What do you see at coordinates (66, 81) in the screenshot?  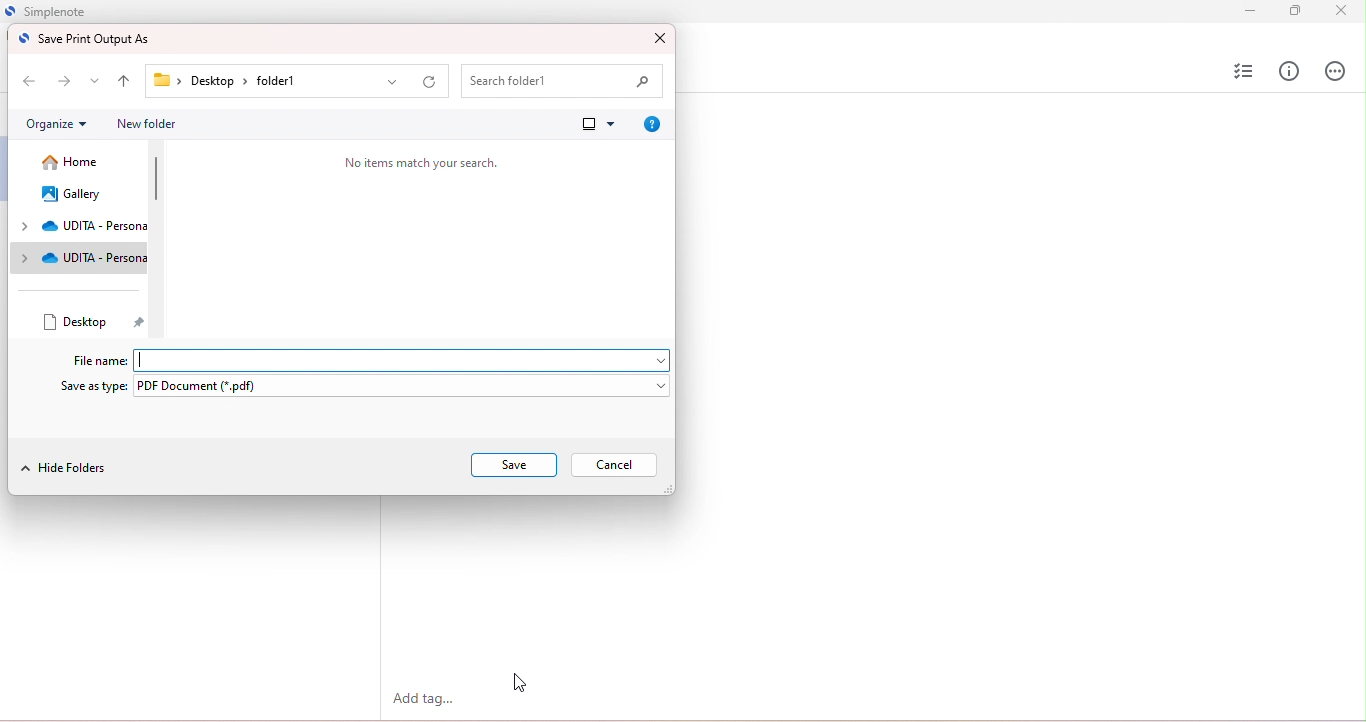 I see `next` at bounding box center [66, 81].